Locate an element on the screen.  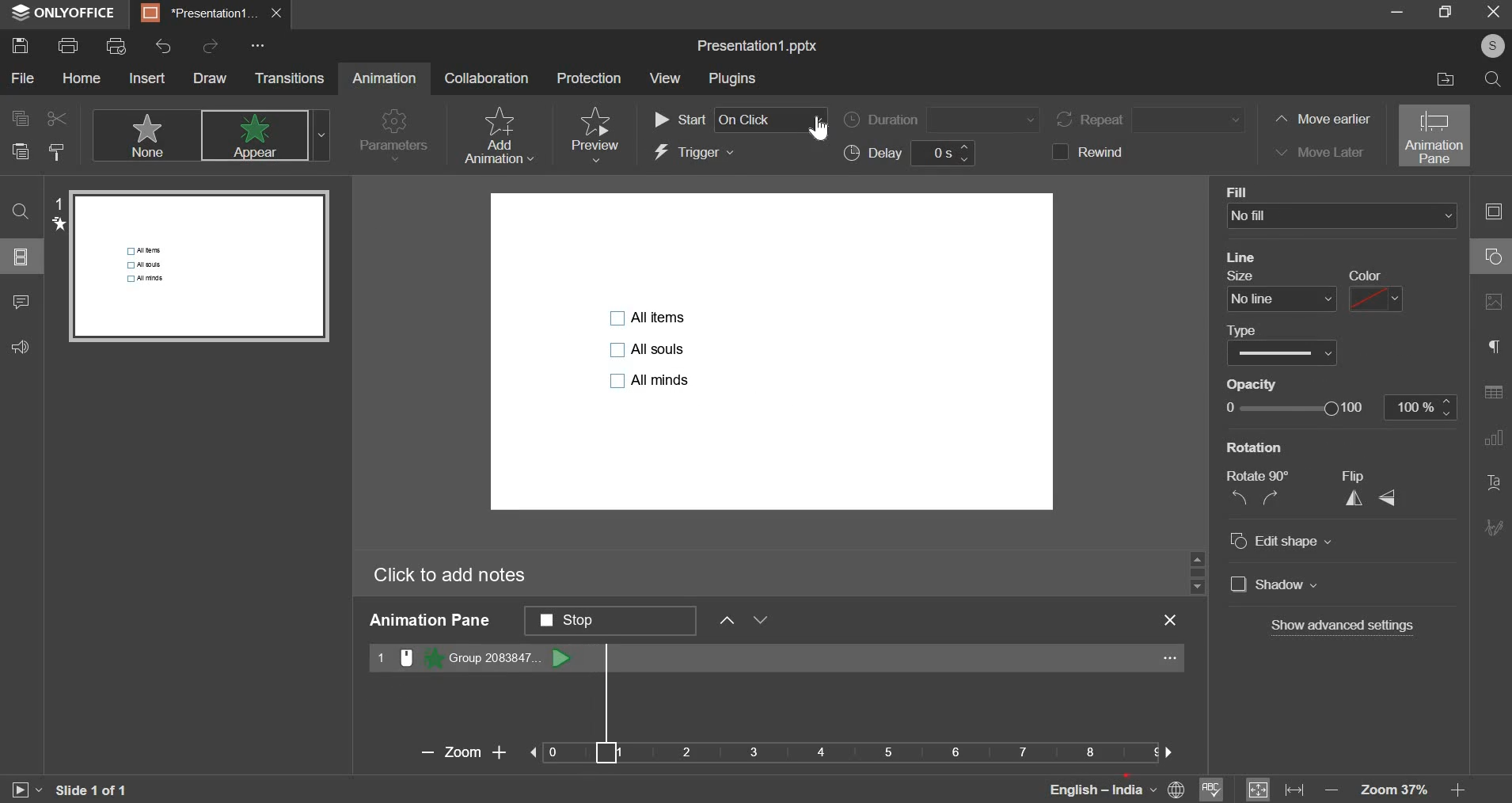
animation 1 is located at coordinates (473, 657).